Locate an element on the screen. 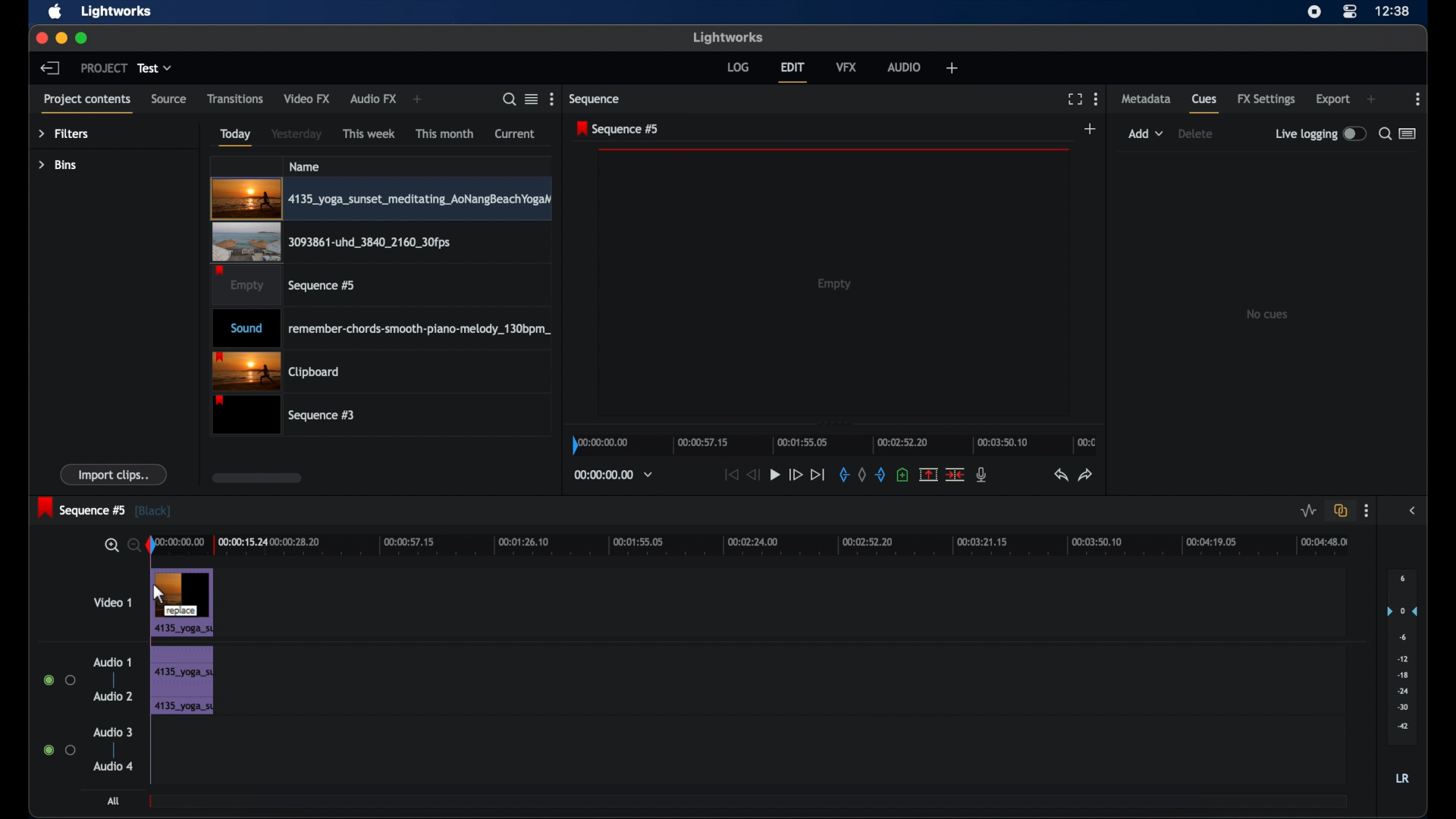 The width and height of the screenshot is (1456, 819). Mouse Cursor is located at coordinates (159, 595).